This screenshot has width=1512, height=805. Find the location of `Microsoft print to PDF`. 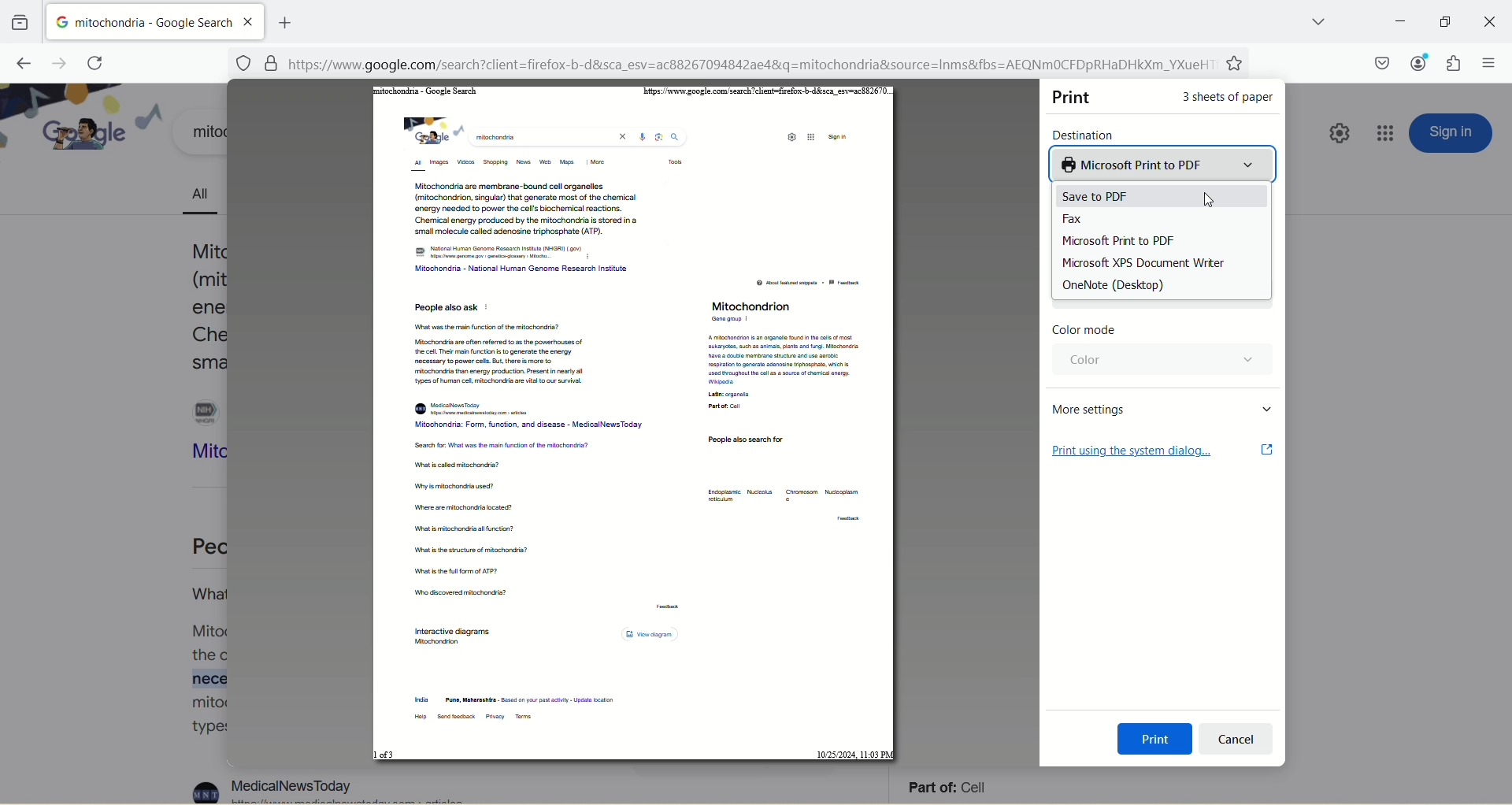

Microsoft print to PDF is located at coordinates (1164, 164).